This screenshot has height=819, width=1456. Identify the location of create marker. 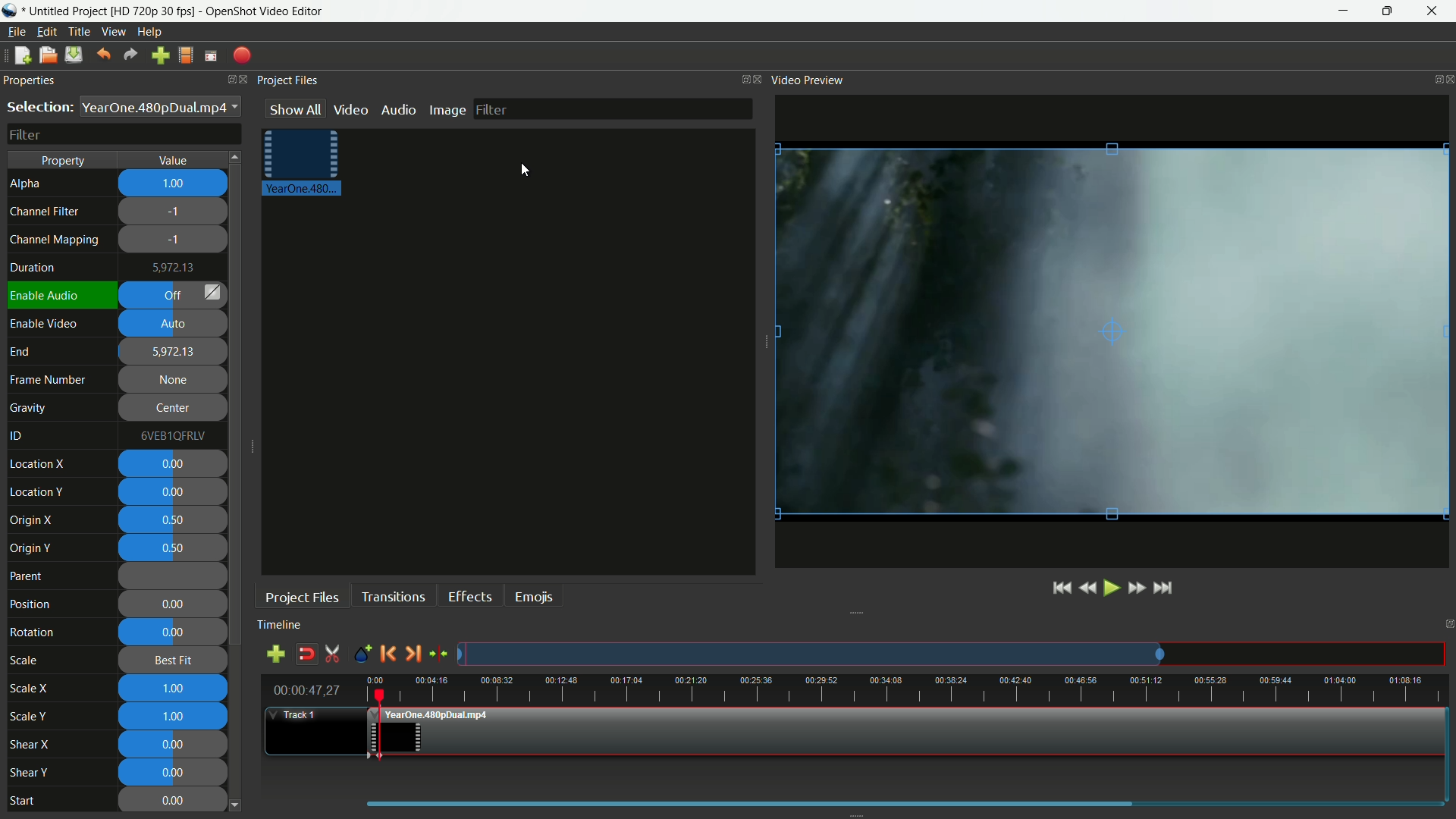
(361, 651).